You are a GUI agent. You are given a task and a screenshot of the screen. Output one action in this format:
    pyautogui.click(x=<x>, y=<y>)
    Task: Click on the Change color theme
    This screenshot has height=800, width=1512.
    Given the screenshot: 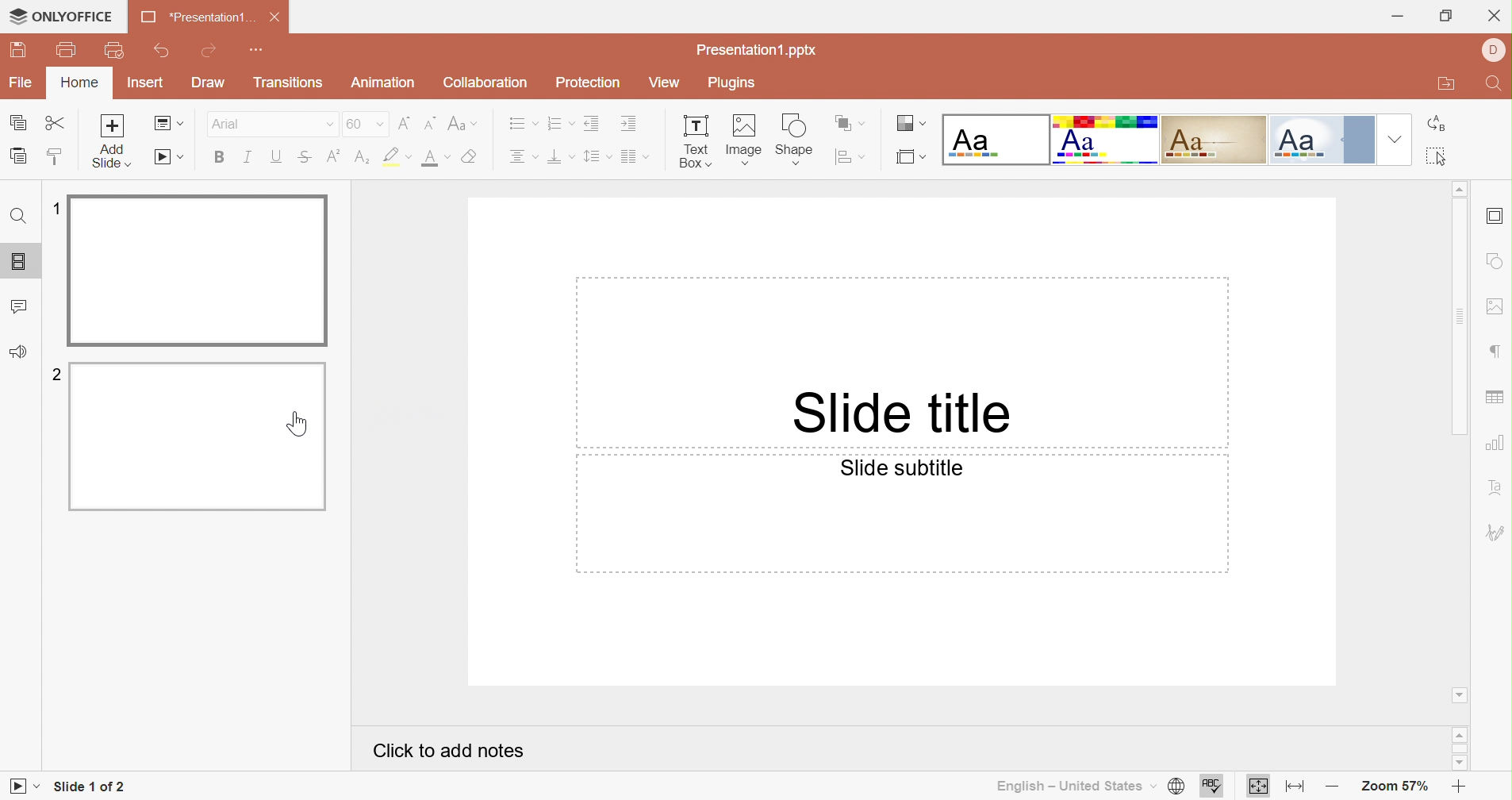 What is the action you would take?
    pyautogui.click(x=908, y=124)
    